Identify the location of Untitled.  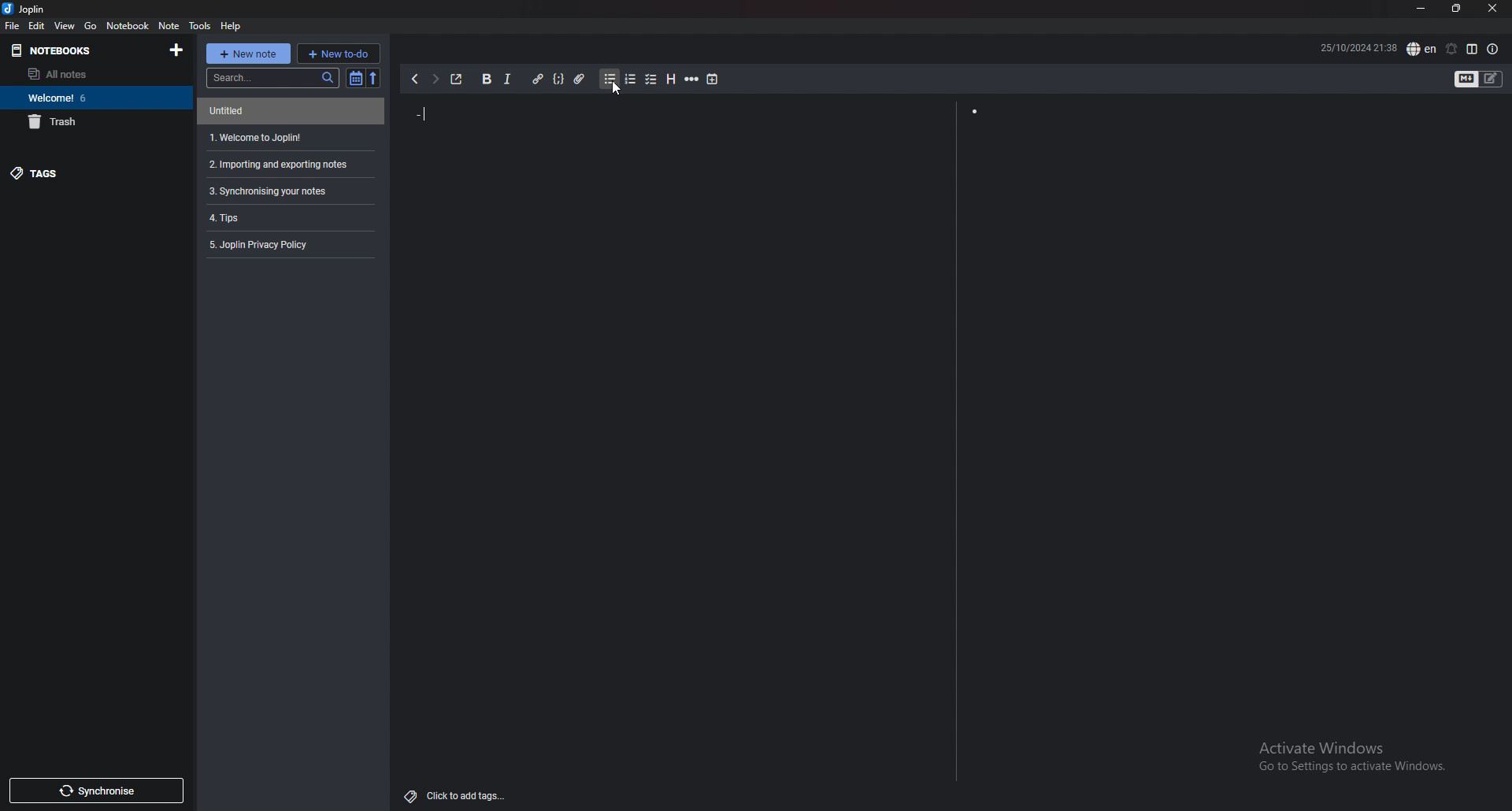
(241, 111).